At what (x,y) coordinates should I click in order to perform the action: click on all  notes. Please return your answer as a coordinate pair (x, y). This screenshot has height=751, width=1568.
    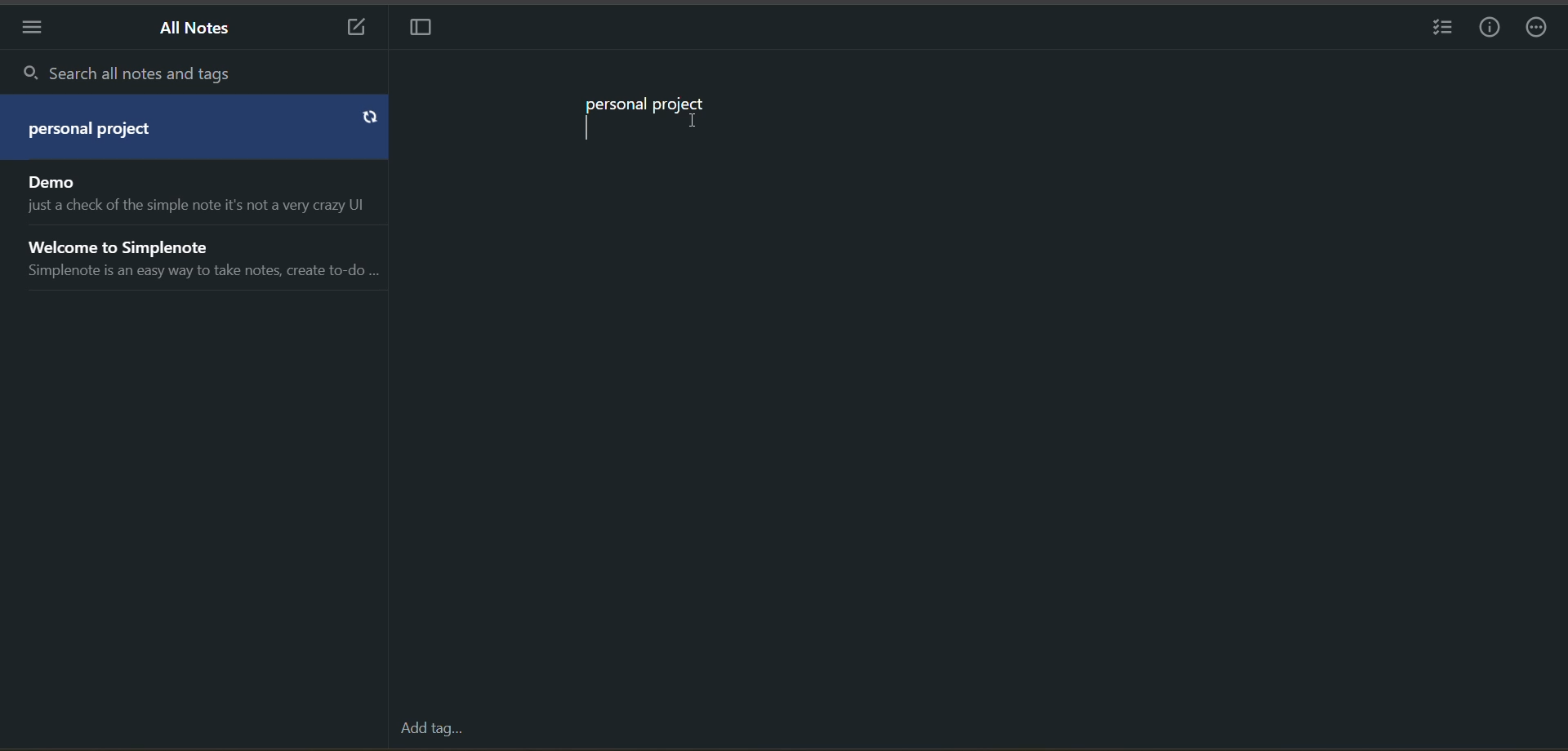
    Looking at the image, I should click on (196, 231).